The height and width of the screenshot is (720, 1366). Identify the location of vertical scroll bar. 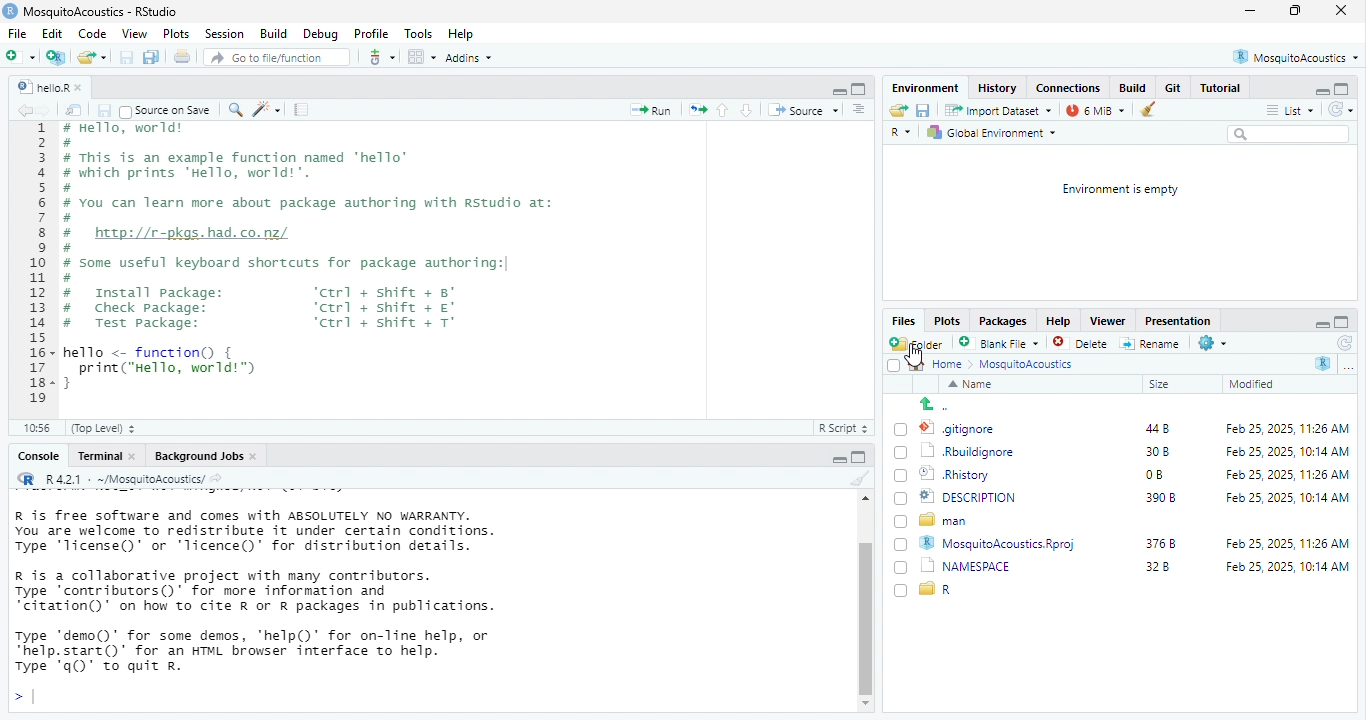
(864, 611).